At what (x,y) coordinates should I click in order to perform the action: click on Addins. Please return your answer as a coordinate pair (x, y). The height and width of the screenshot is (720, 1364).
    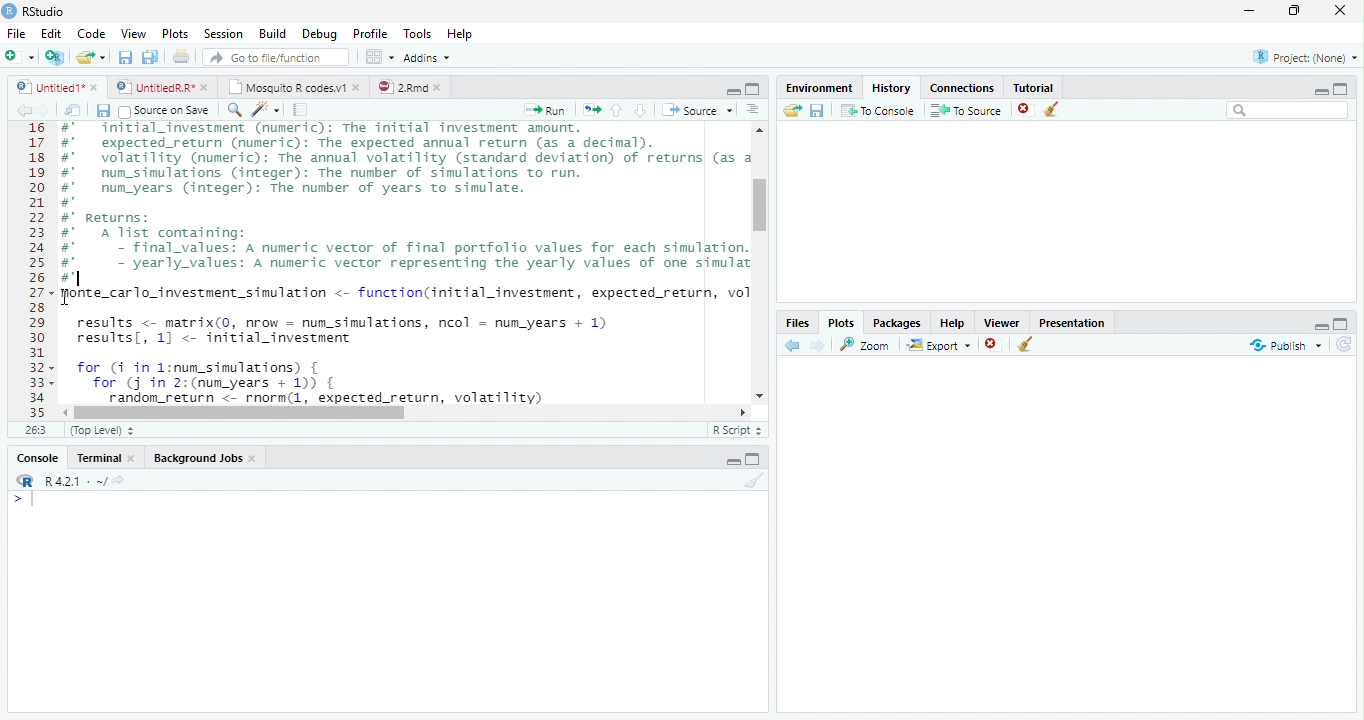
    Looking at the image, I should click on (428, 57).